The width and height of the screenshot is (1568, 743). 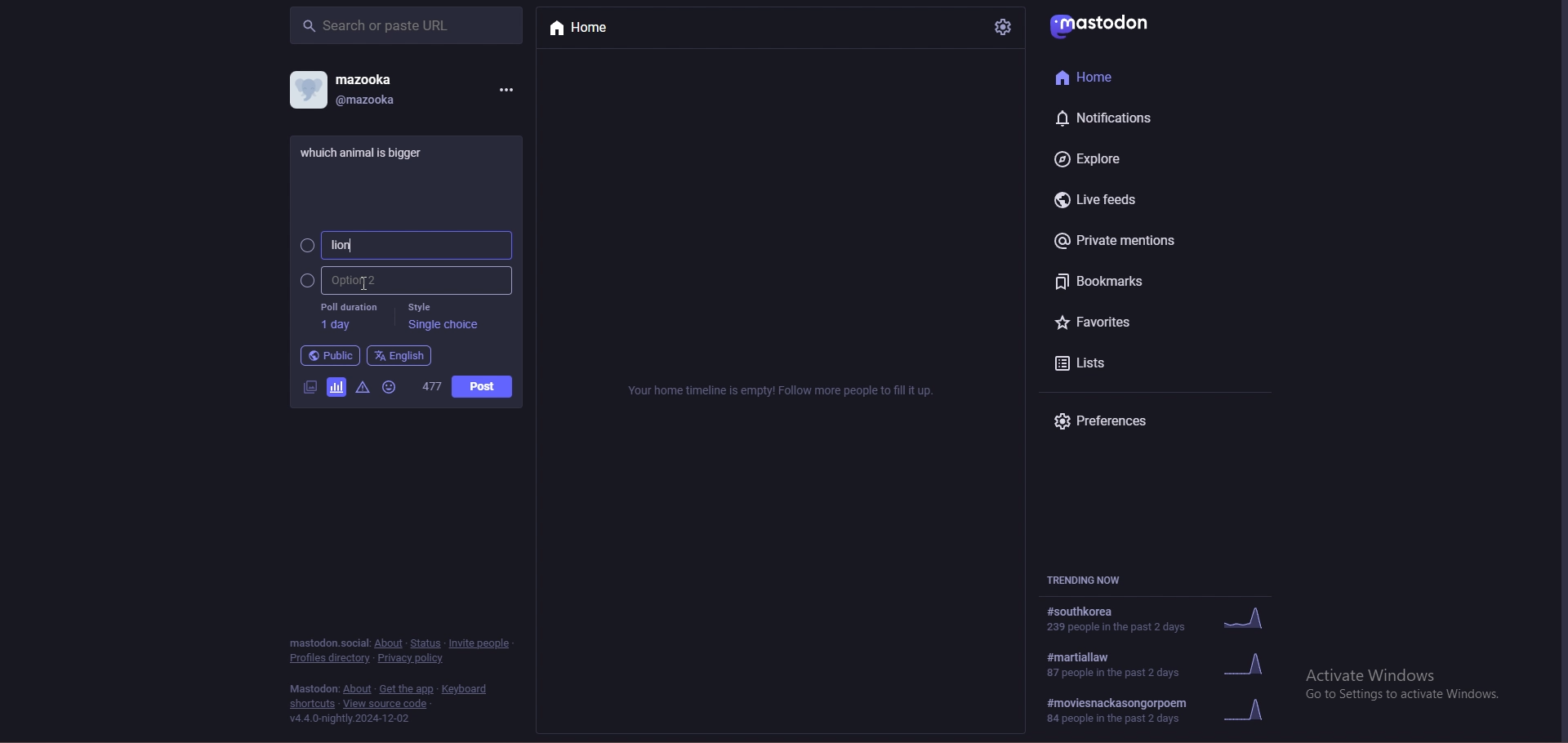 What do you see at coordinates (1090, 76) in the screenshot?
I see `Home` at bounding box center [1090, 76].